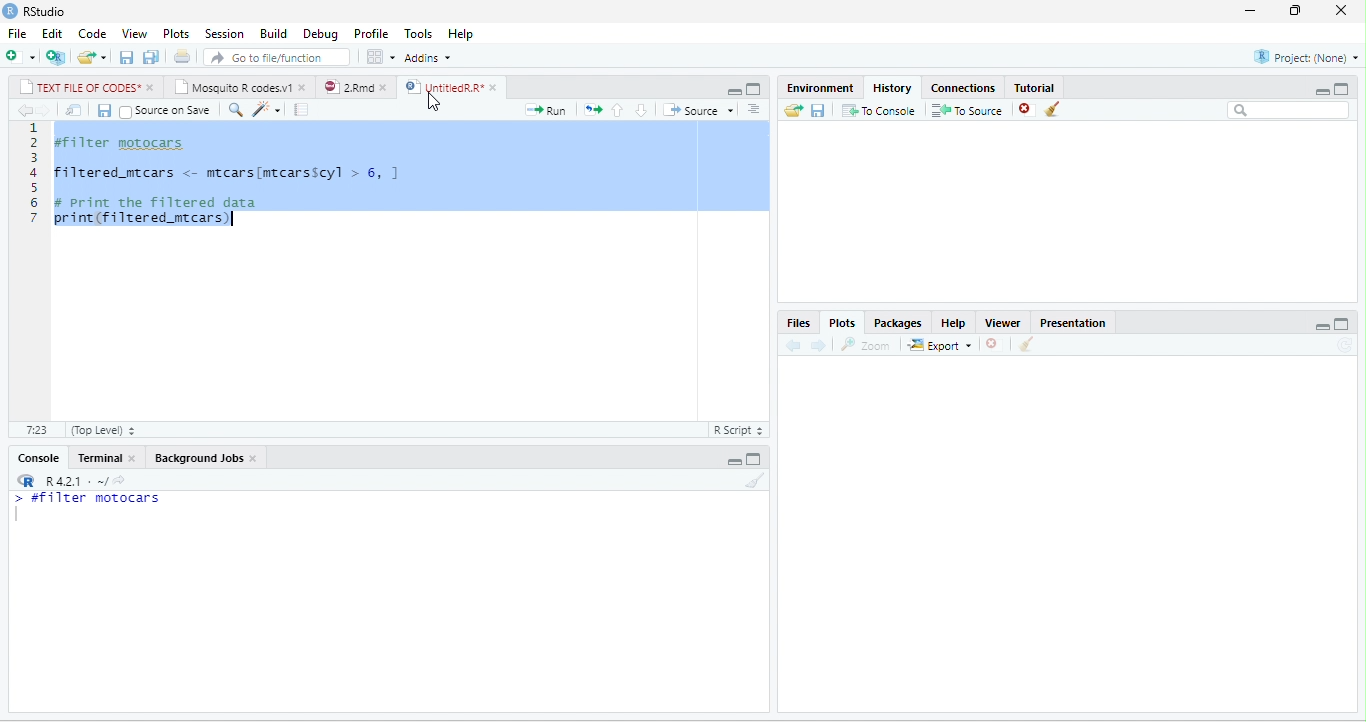  I want to click on minimize, so click(734, 91).